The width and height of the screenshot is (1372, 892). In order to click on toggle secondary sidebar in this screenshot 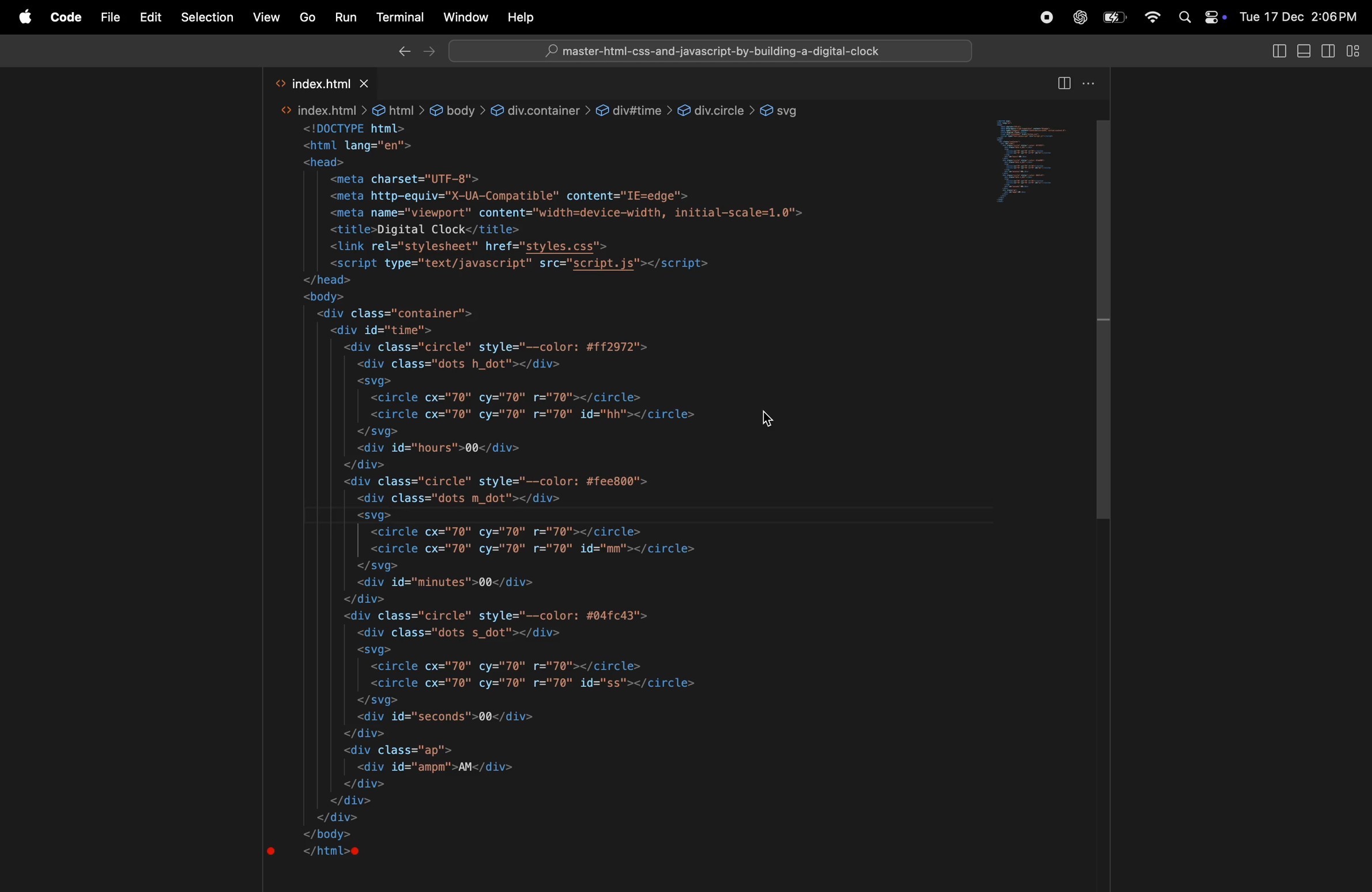, I will do `click(1329, 50)`.